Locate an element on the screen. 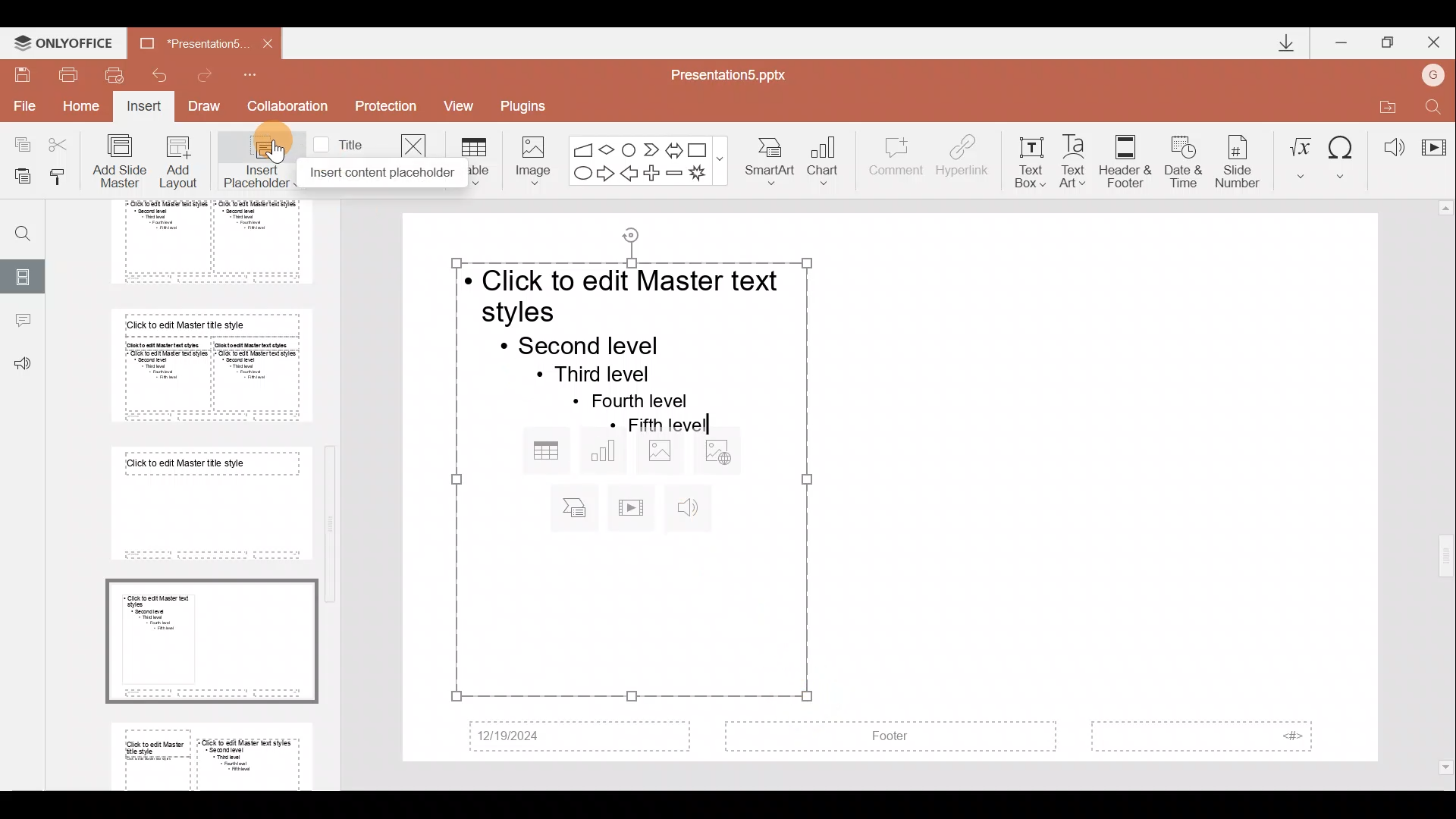 This screenshot has height=819, width=1456. Home is located at coordinates (83, 110).